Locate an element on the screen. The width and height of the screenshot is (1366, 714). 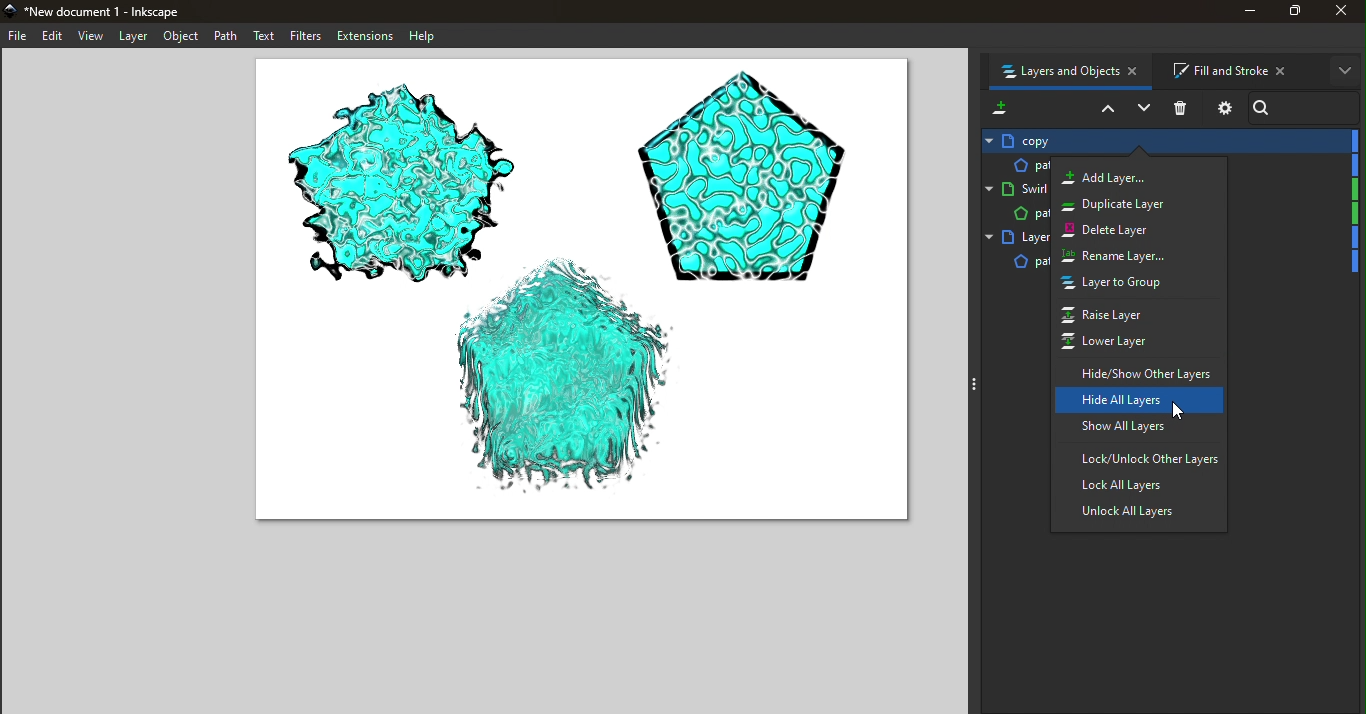
Layer to group is located at coordinates (1128, 284).